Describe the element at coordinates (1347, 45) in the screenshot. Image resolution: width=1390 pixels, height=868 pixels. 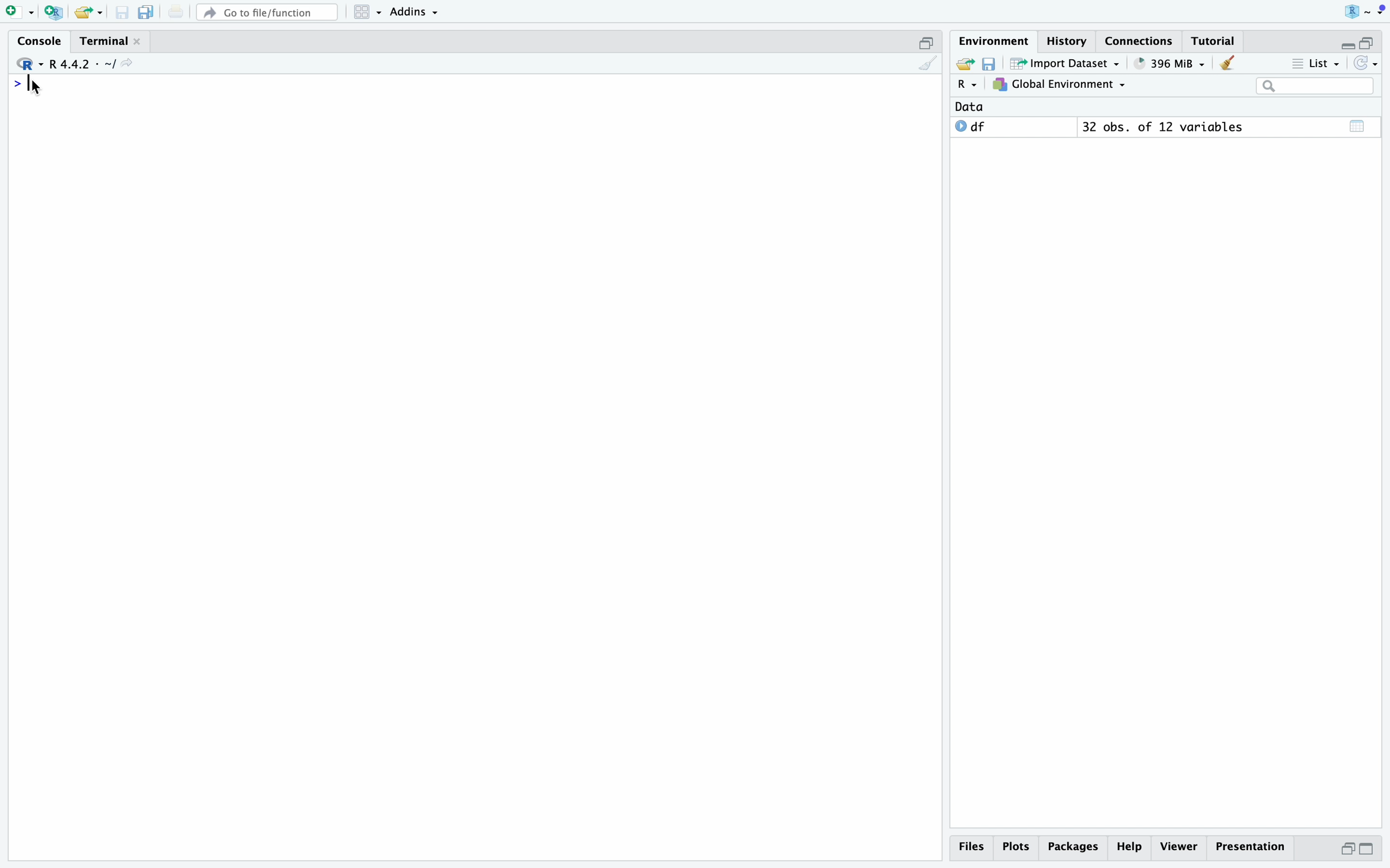
I see `Collapse/expand` at that location.